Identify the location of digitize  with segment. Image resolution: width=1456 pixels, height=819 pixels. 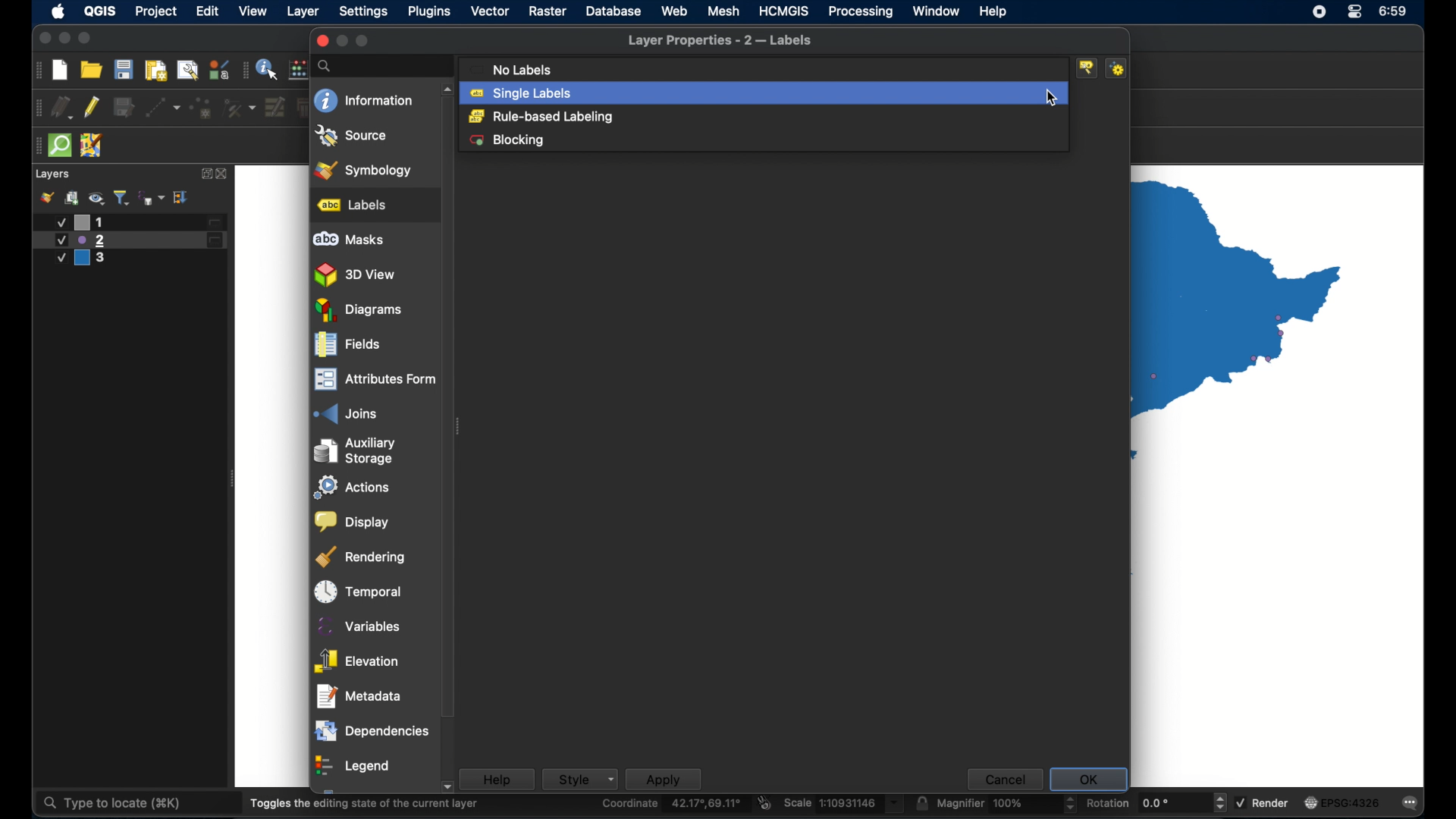
(163, 108).